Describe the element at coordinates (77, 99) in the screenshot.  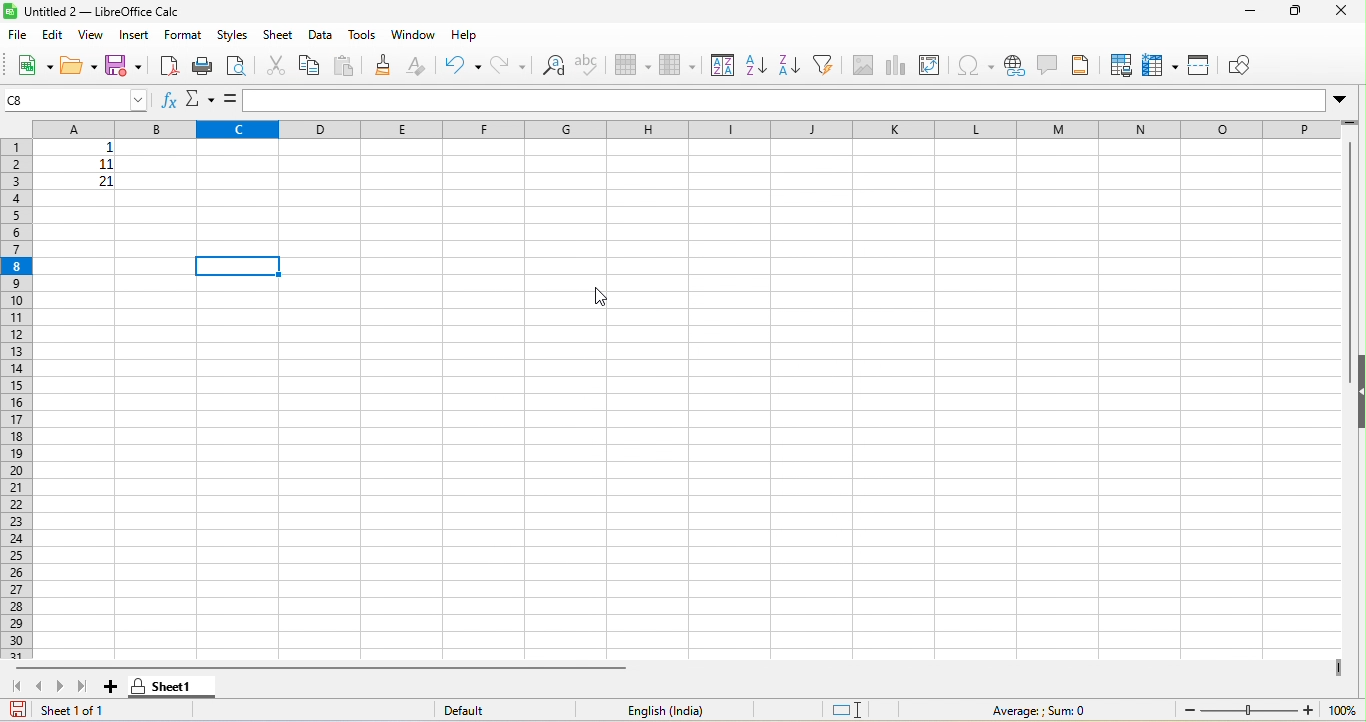
I see `selected cell number` at that location.